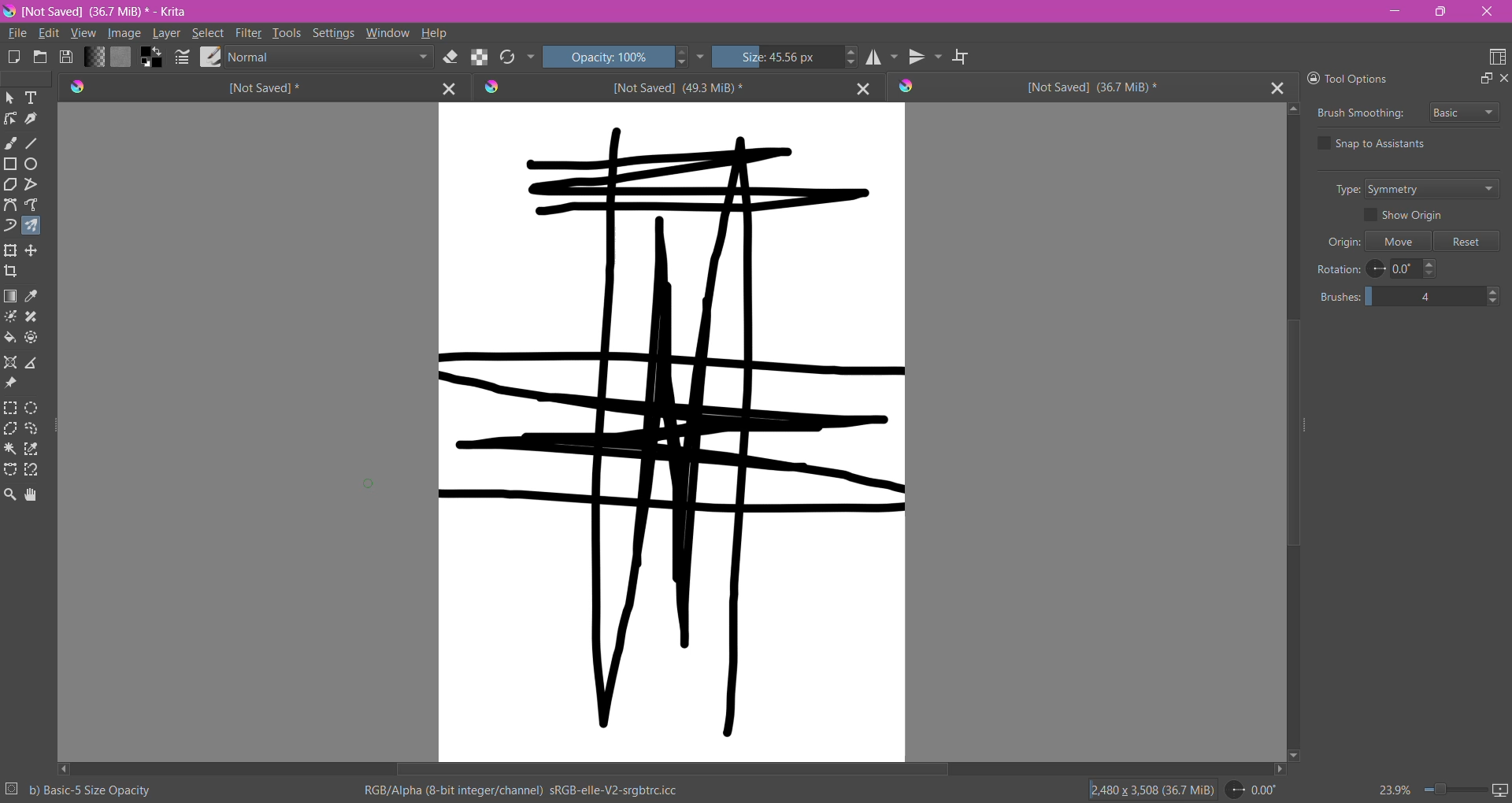 Image resolution: width=1512 pixels, height=803 pixels. What do you see at coordinates (1147, 790) in the screenshot?
I see `Image Size` at bounding box center [1147, 790].